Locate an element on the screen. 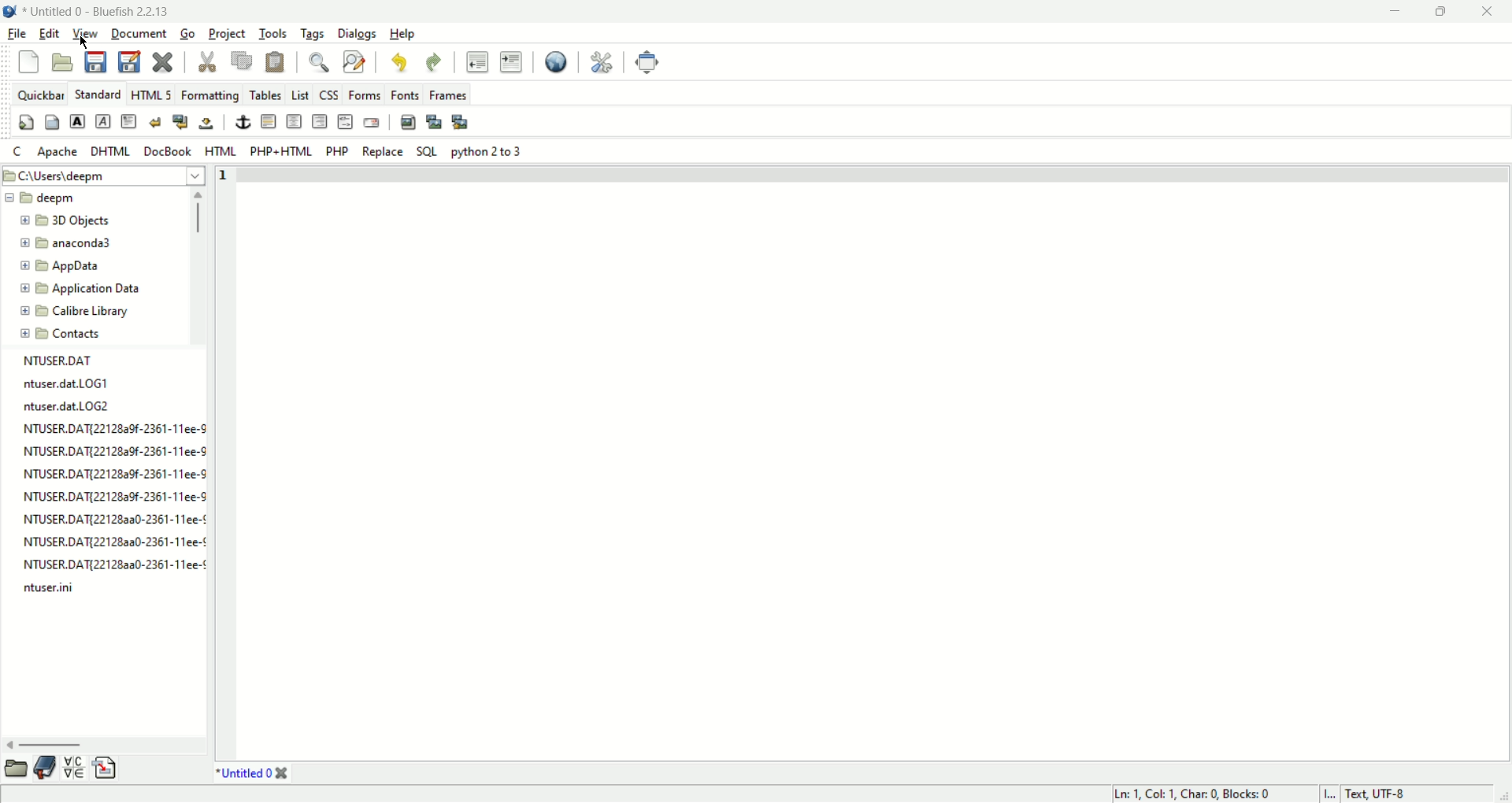 This screenshot has height=803, width=1512. HTML is located at coordinates (151, 94).